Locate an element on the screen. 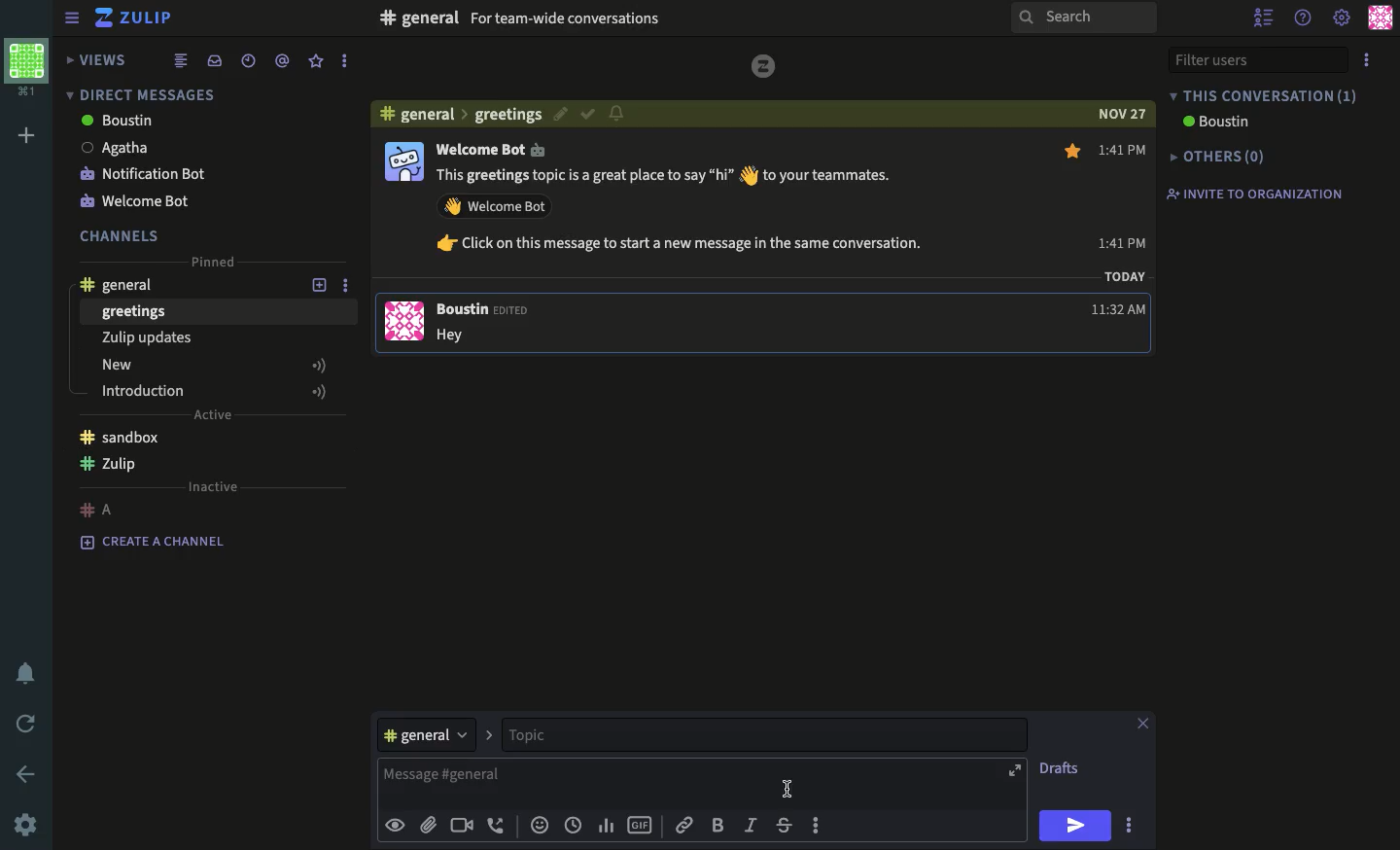 This screenshot has height=850, width=1400. refresh is located at coordinates (29, 725).